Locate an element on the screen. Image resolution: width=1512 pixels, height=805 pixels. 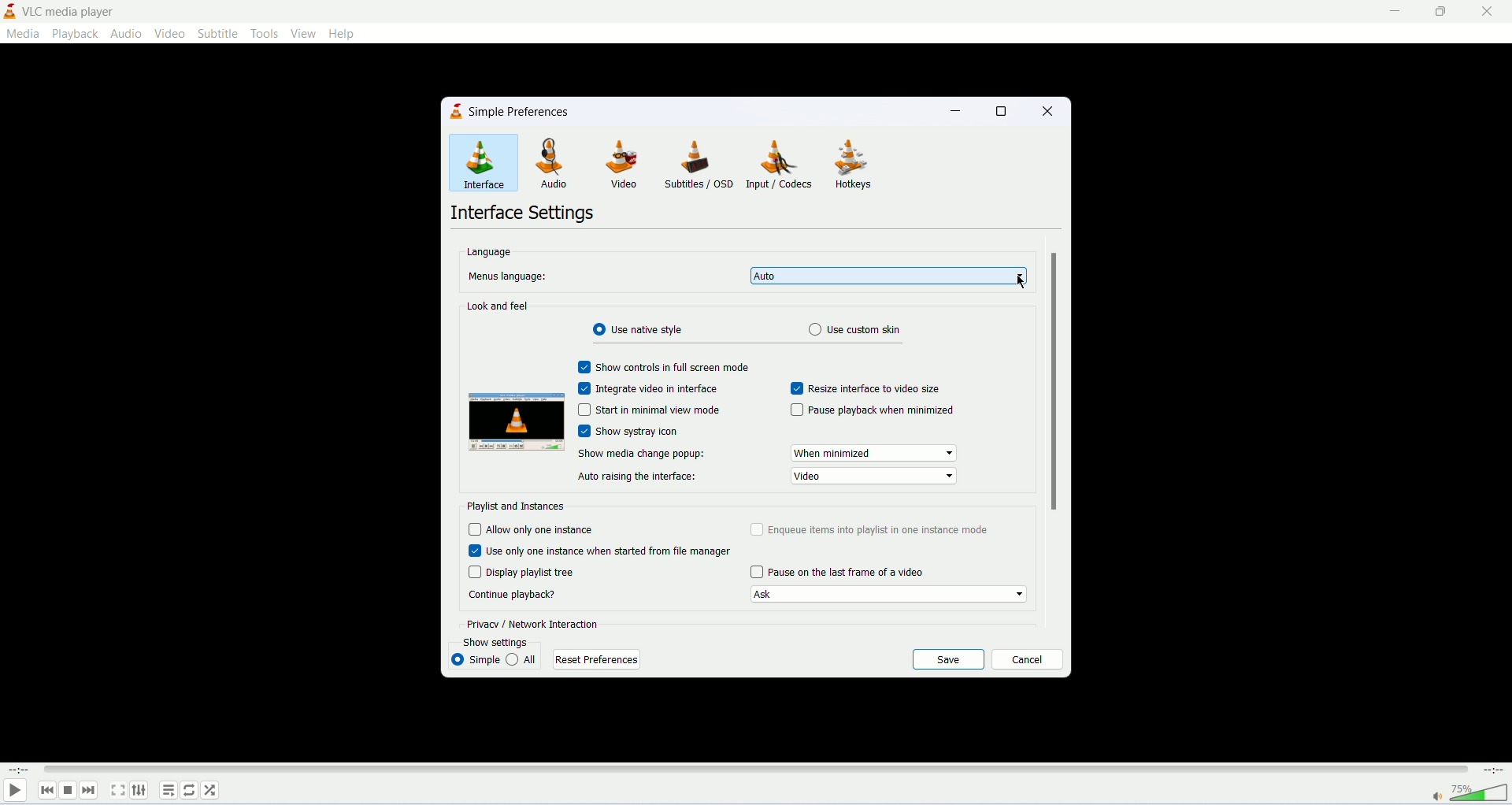
previous track is located at coordinates (47, 790).